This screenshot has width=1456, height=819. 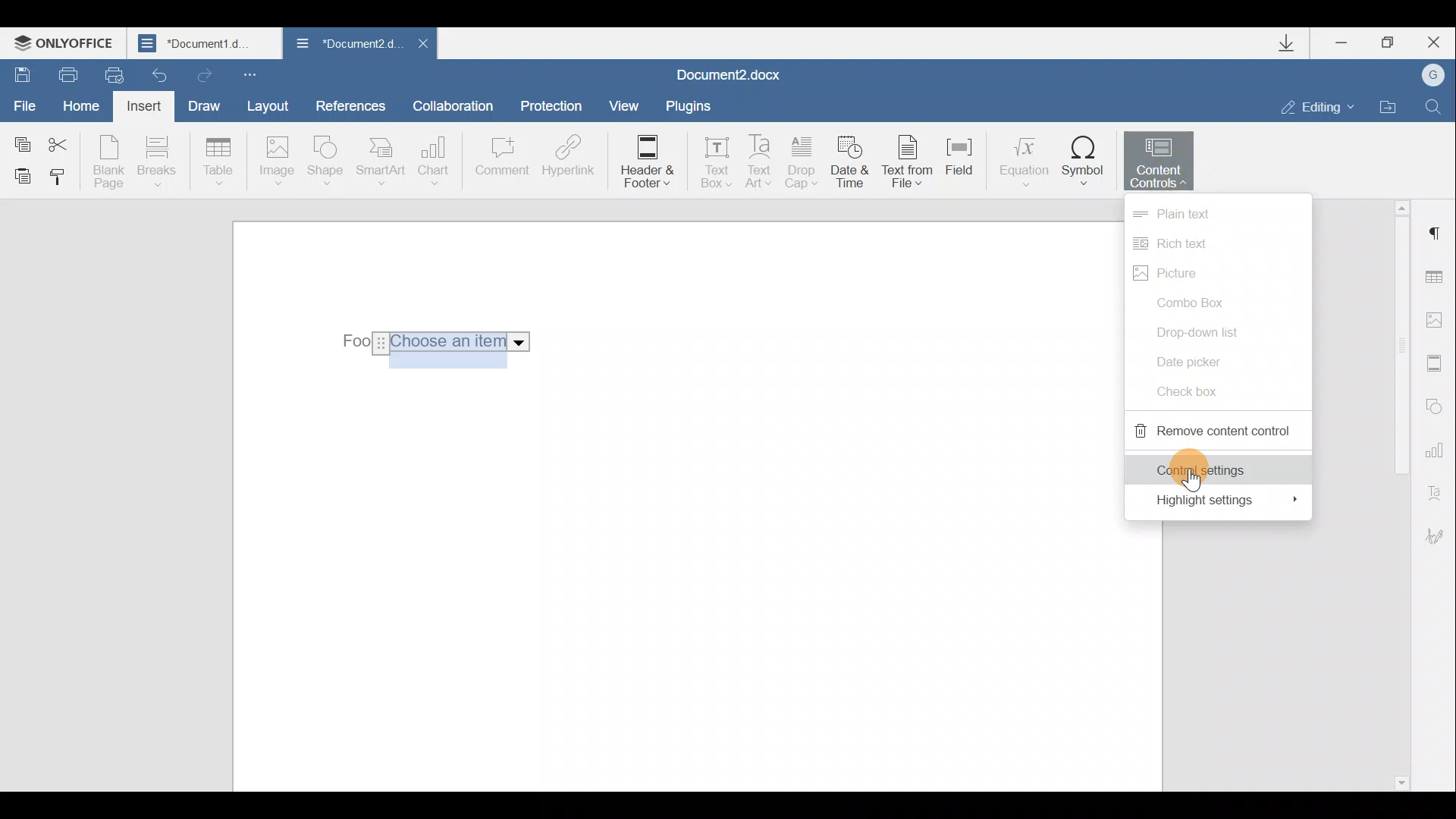 I want to click on Combo box, so click(x=1197, y=303).